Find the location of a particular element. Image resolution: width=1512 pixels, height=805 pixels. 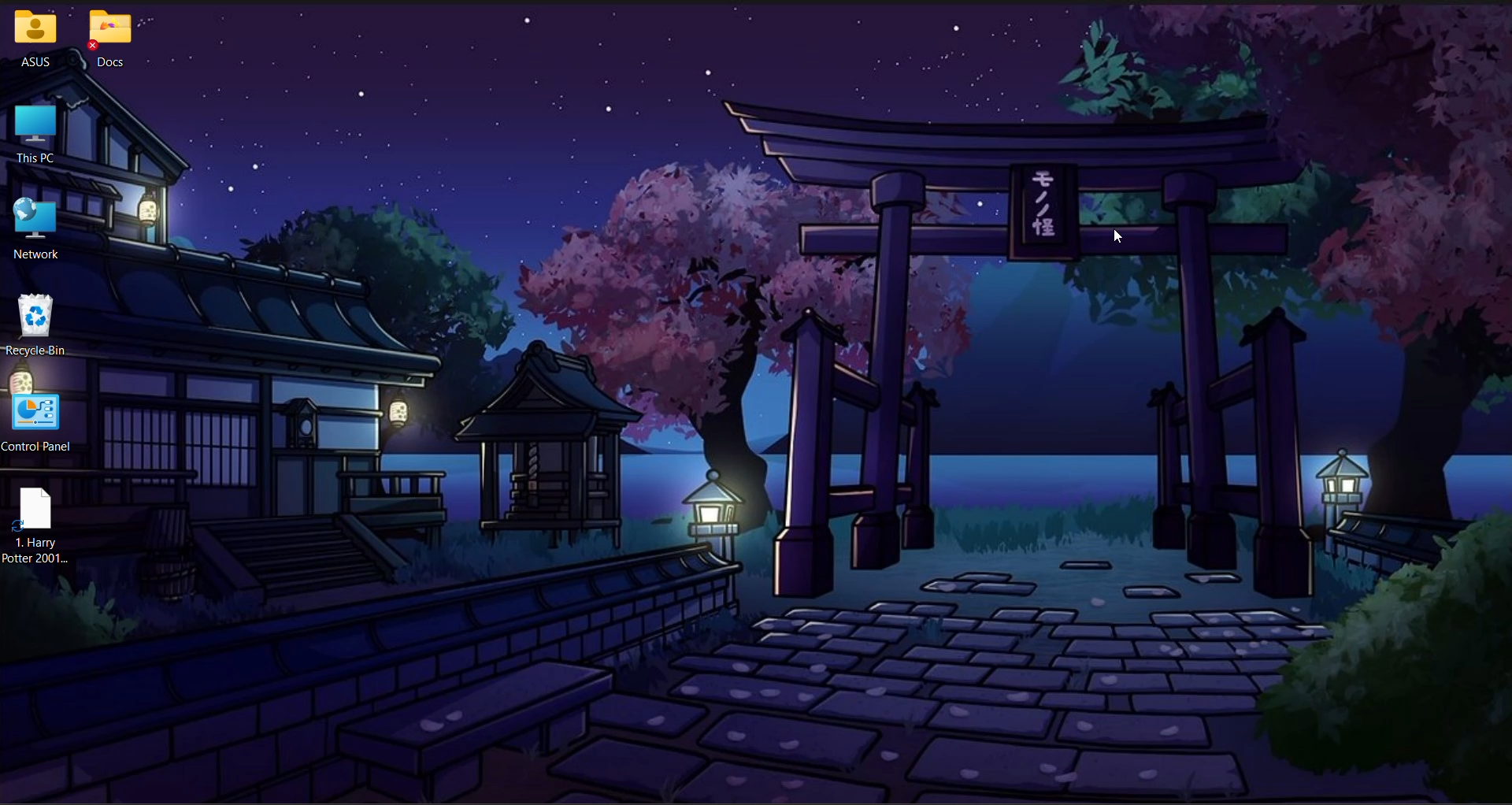

This PC is located at coordinates (35, 134).